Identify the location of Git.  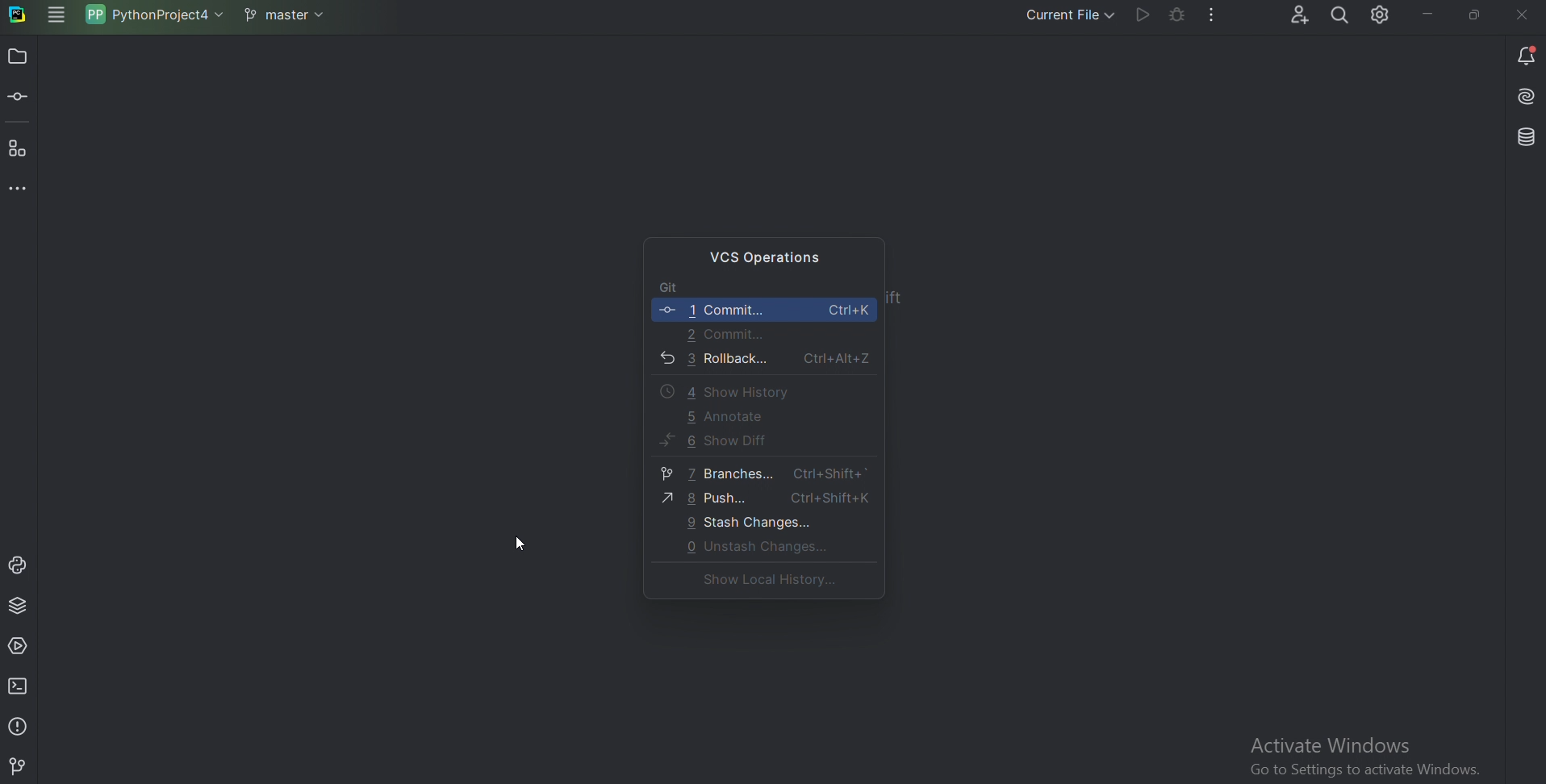
(20, 766).